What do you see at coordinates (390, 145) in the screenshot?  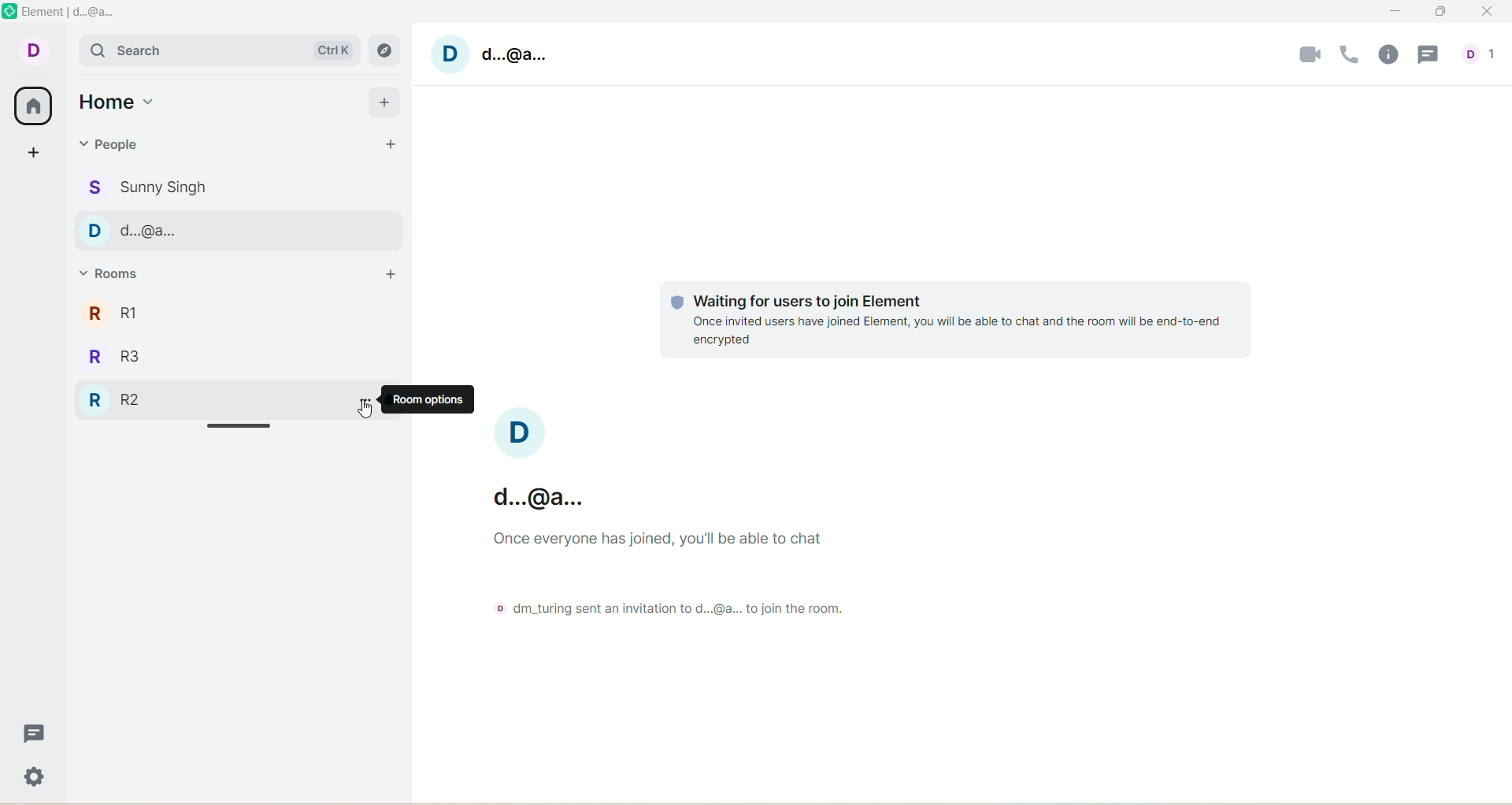 I see `start chat` at bounding box center [390, 145].